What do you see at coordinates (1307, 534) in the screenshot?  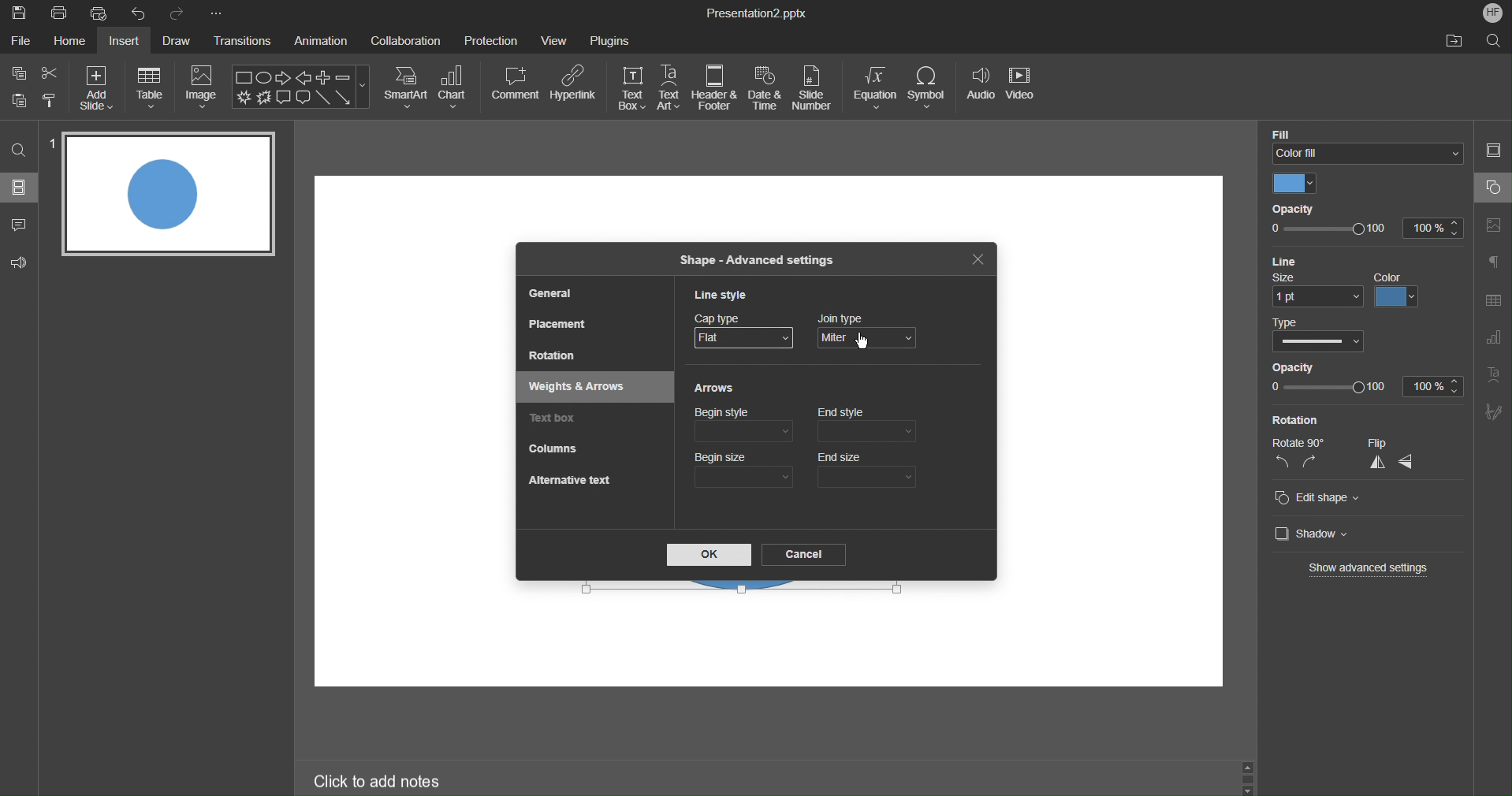 I see `Shadow` at bounding box center [1307, 534].